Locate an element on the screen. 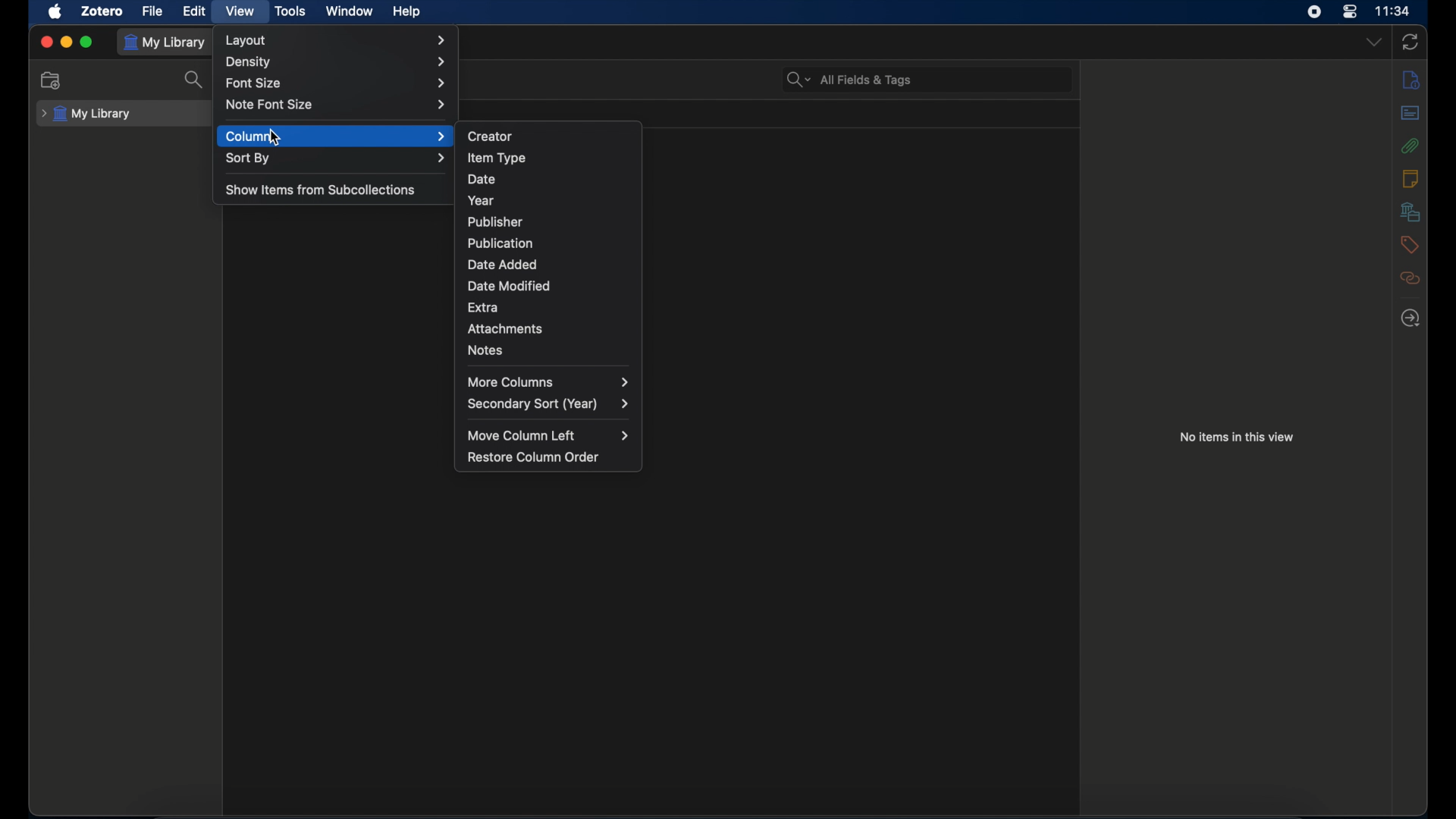 The width and height of the screenshot is (1456, 819). time is located at coordinates (1393, 10).